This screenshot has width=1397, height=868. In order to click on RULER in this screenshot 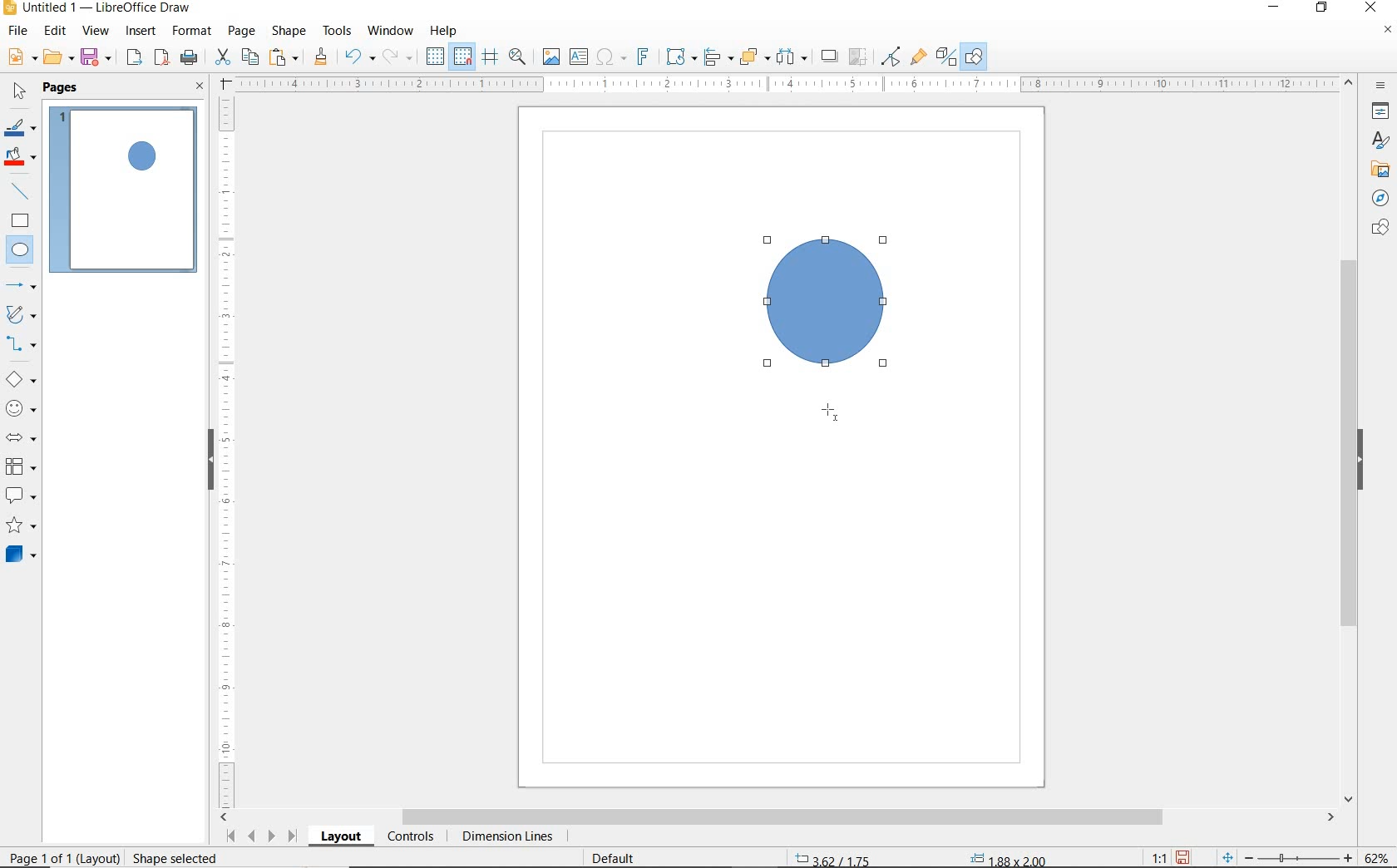, I will do `click(228, 450)`.